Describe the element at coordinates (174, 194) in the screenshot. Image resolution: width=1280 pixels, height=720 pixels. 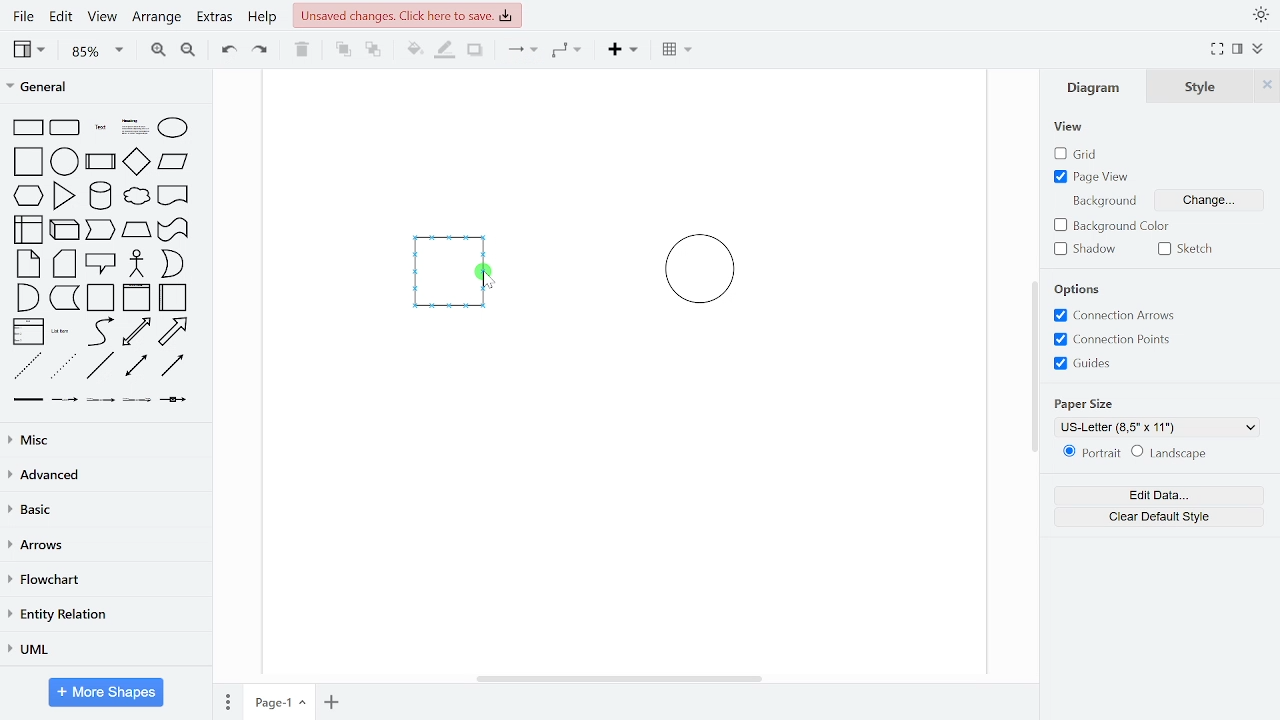
I see `document` at that location.